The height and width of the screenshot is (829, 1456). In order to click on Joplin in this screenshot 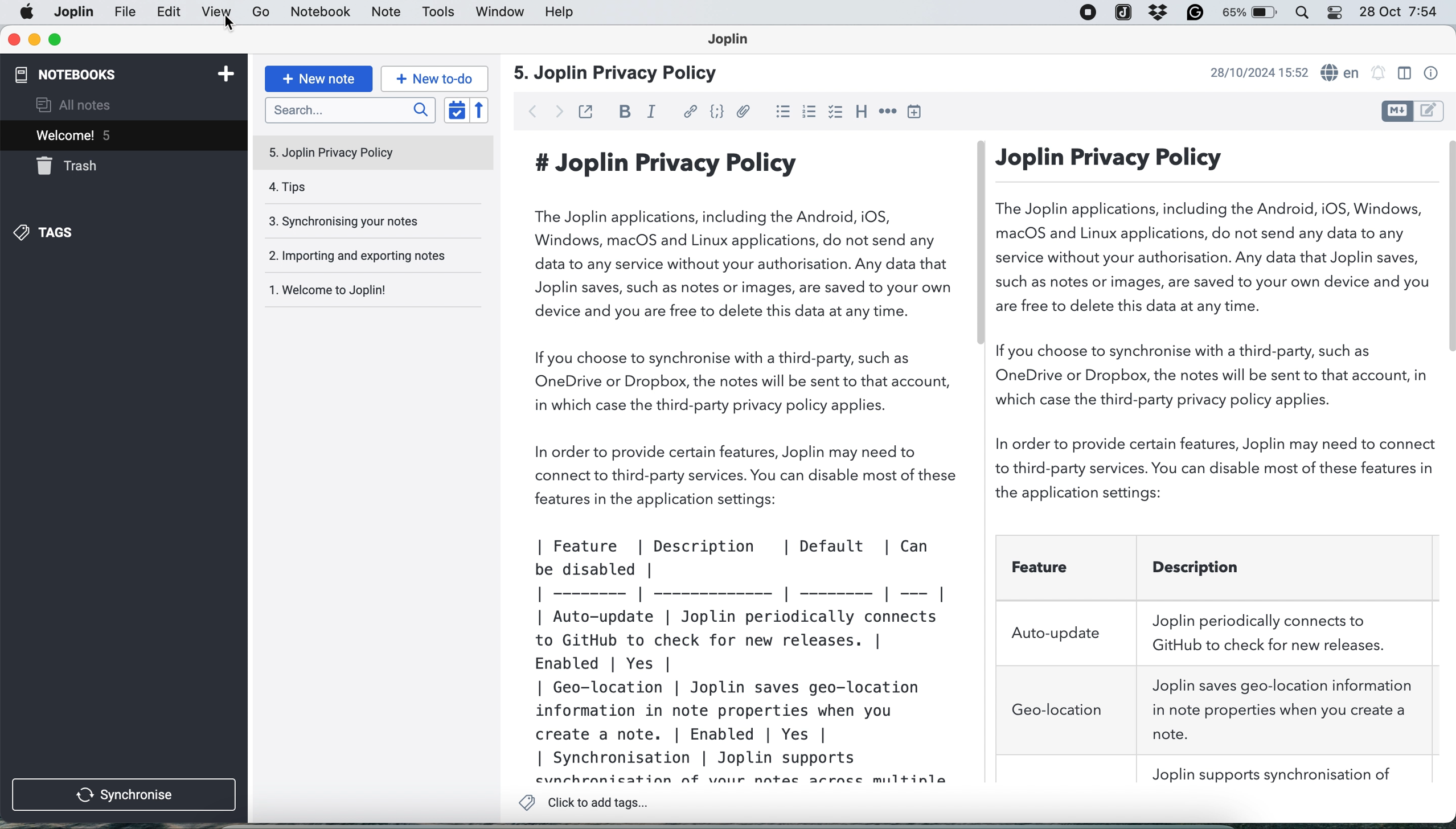, I will do `click(735, 41)`.